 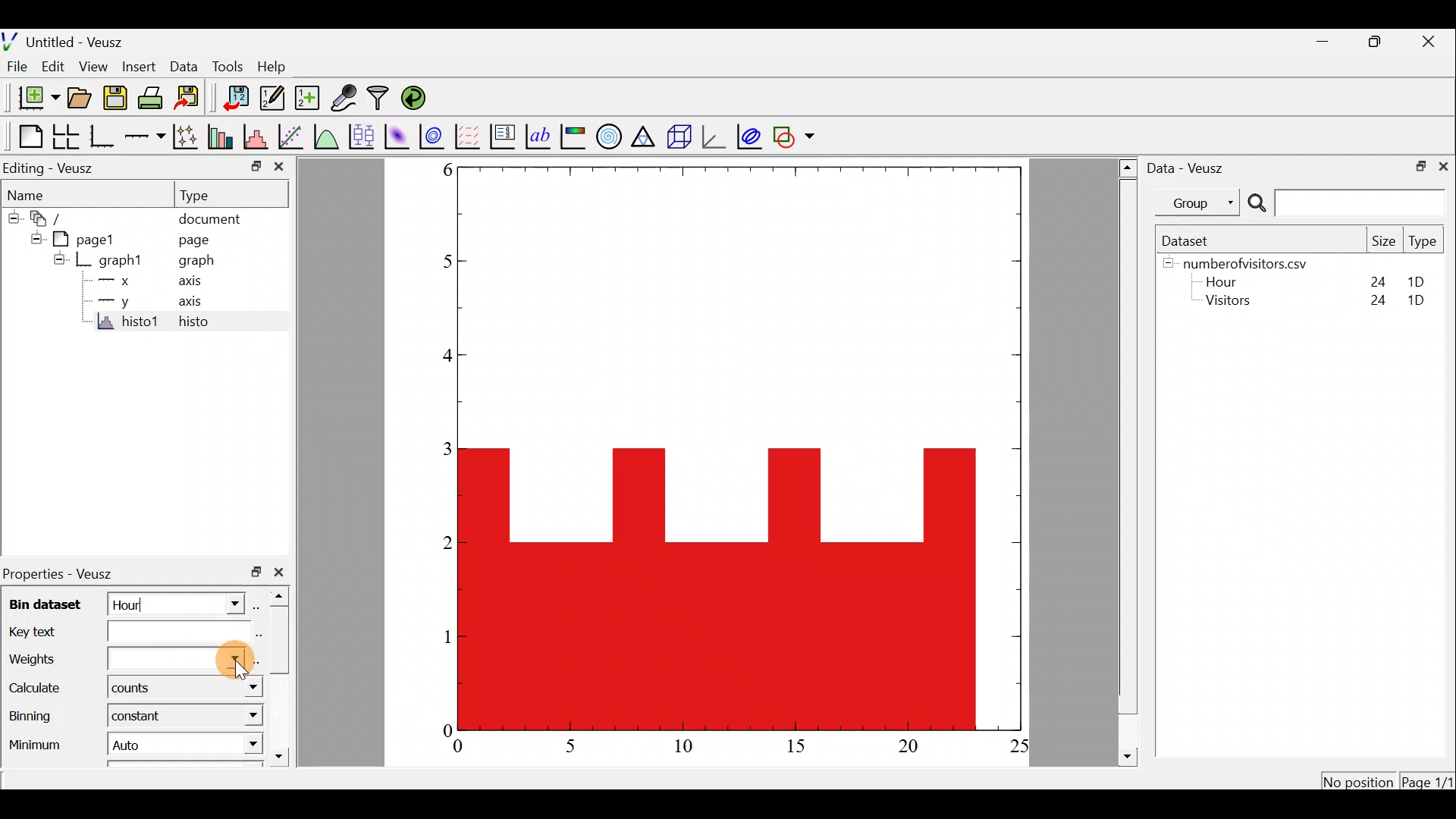 What do you see at coordinates (196, 240) in the screenshot?
I see `page` at bounding box center [196, 240].